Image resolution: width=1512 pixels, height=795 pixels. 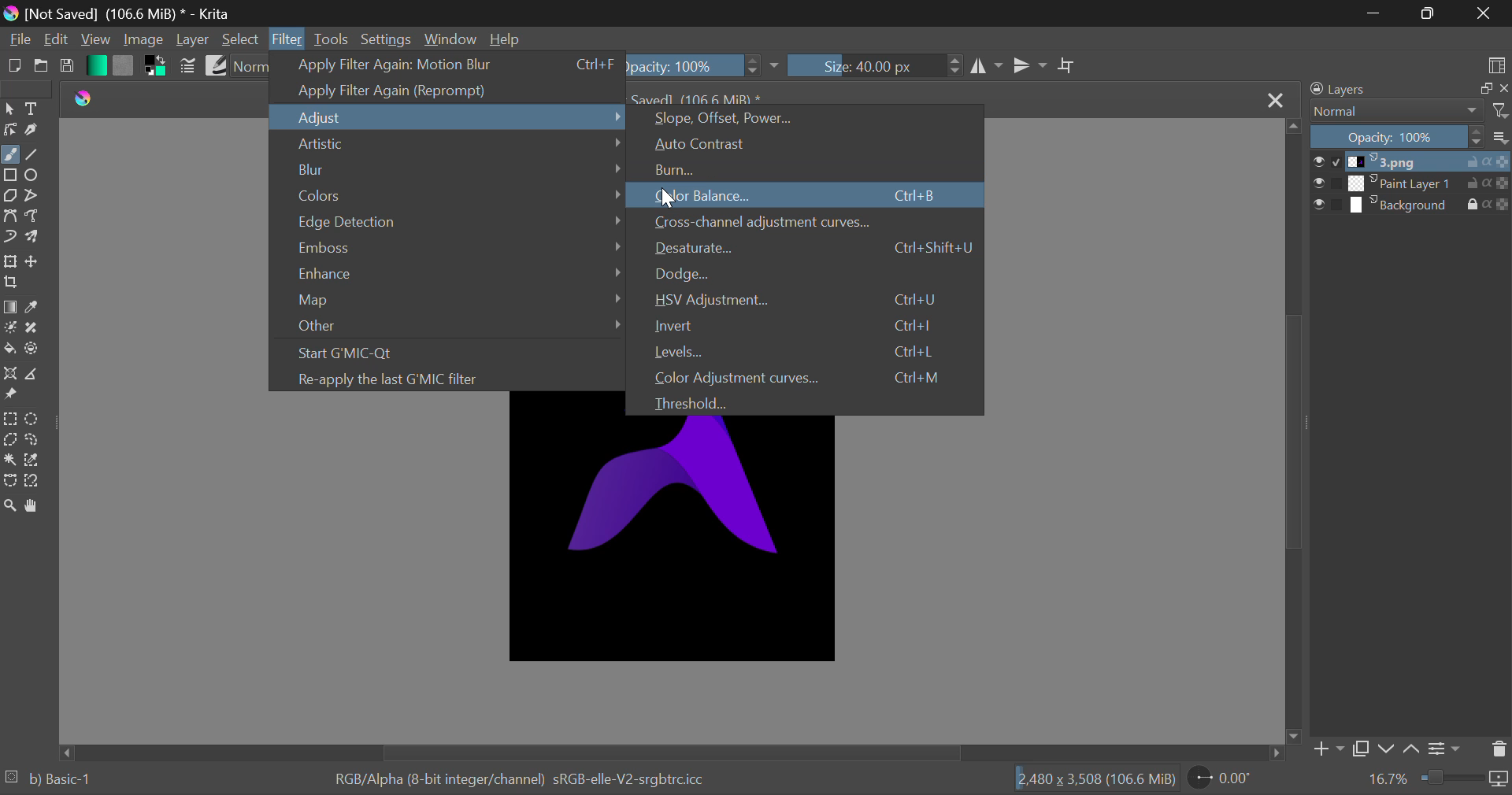 I want to click on move down, so click(x=1292, y=735).